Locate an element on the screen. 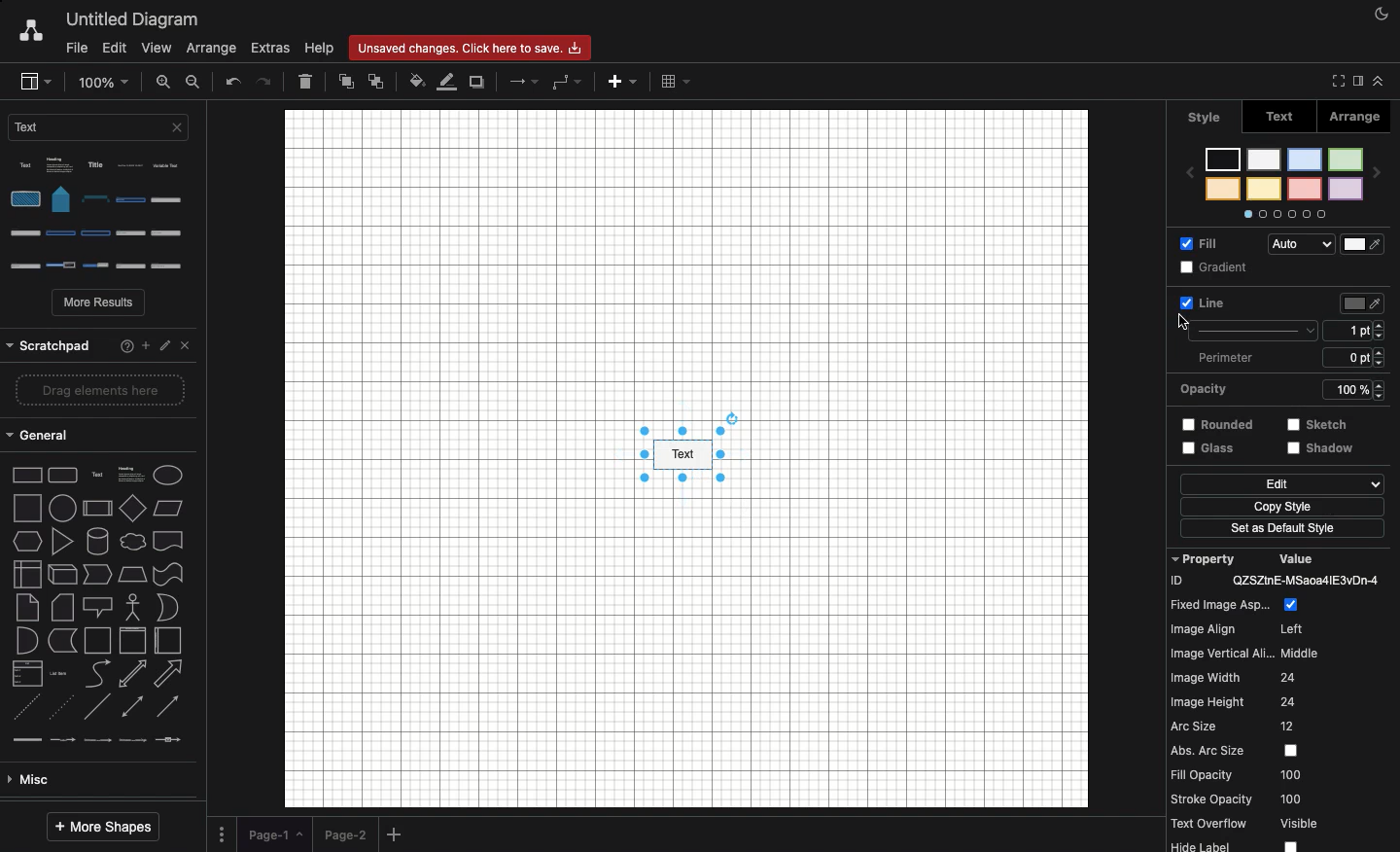 The height and width of the screenshot is (852, 1400). Opacity is located at coordinates (1290, 357).